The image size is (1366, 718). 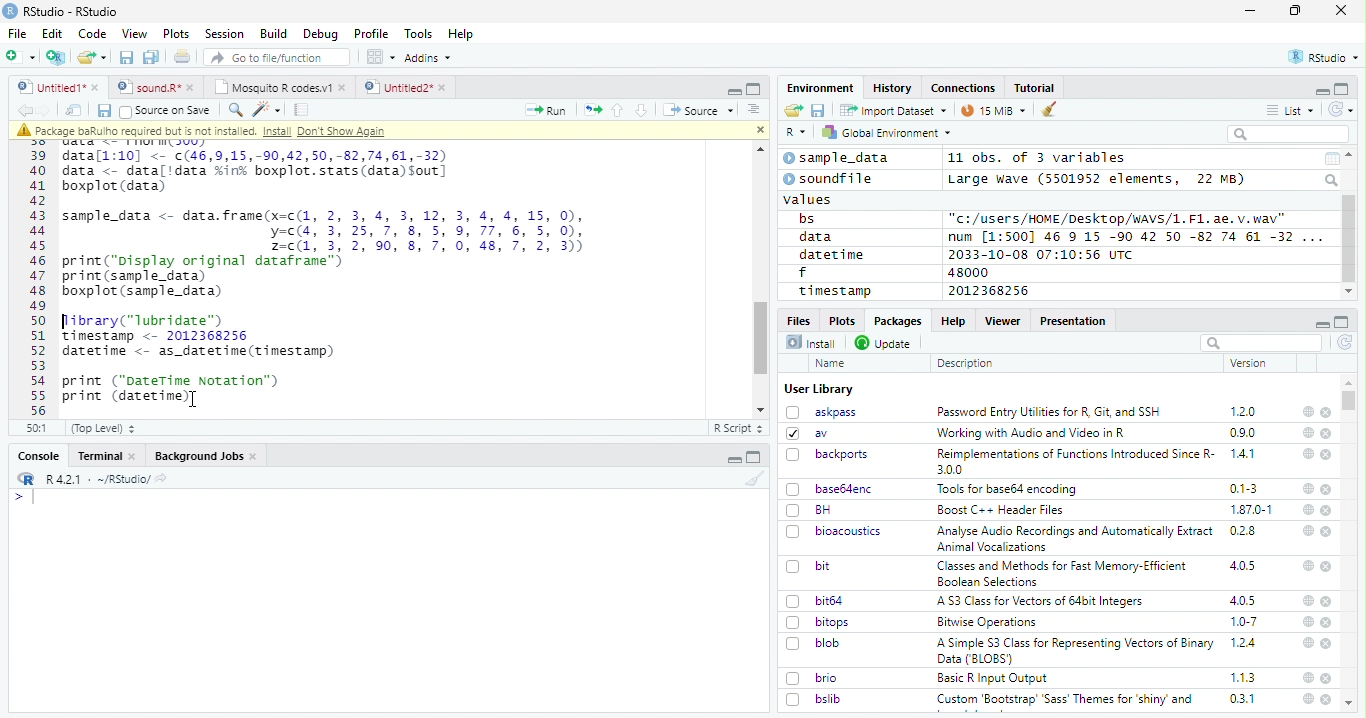 What do you see at coordinates (135, 34) in the screenshot?
I see `View` at bounding box center [135, 34].